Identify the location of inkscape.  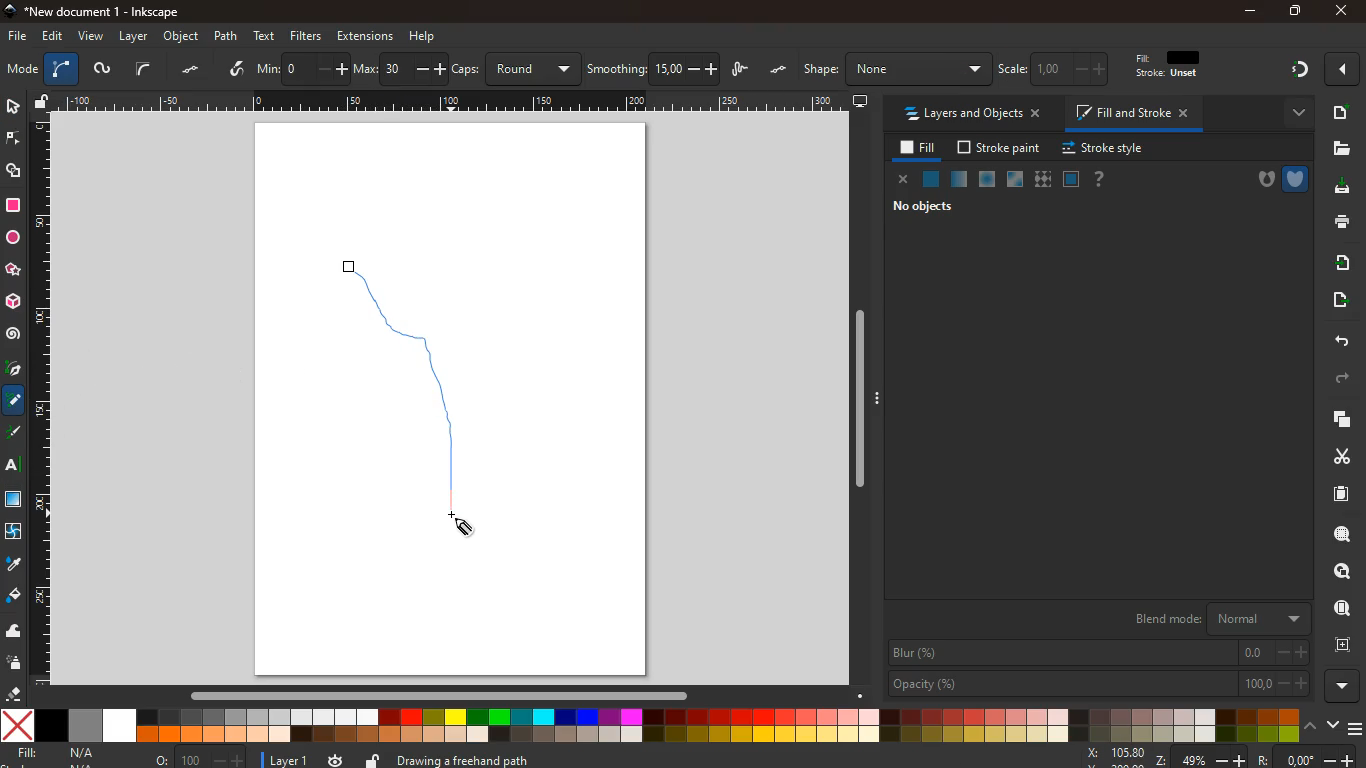
(99, 10).